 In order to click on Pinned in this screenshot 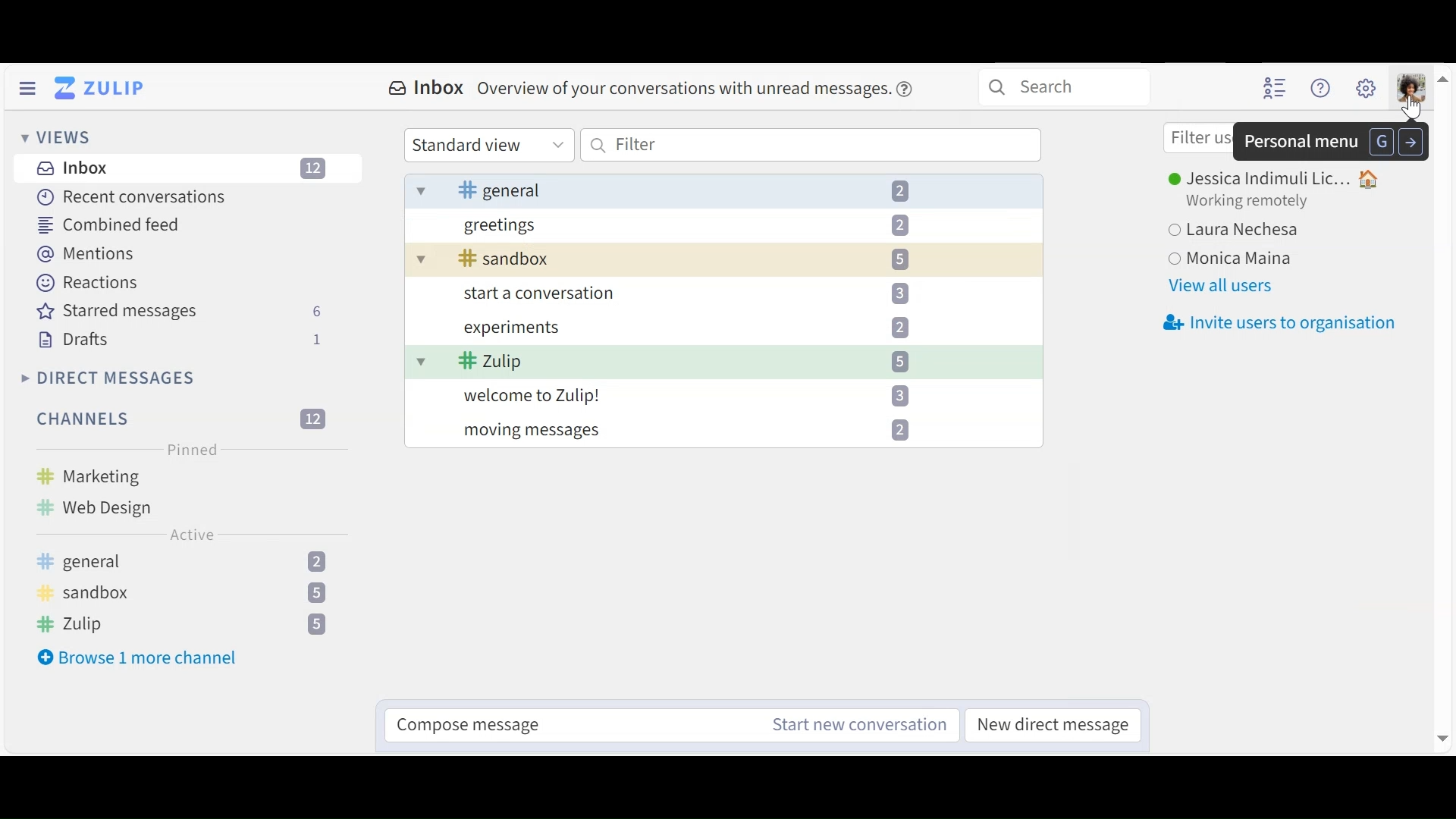, I will do `click(193, 450)`.